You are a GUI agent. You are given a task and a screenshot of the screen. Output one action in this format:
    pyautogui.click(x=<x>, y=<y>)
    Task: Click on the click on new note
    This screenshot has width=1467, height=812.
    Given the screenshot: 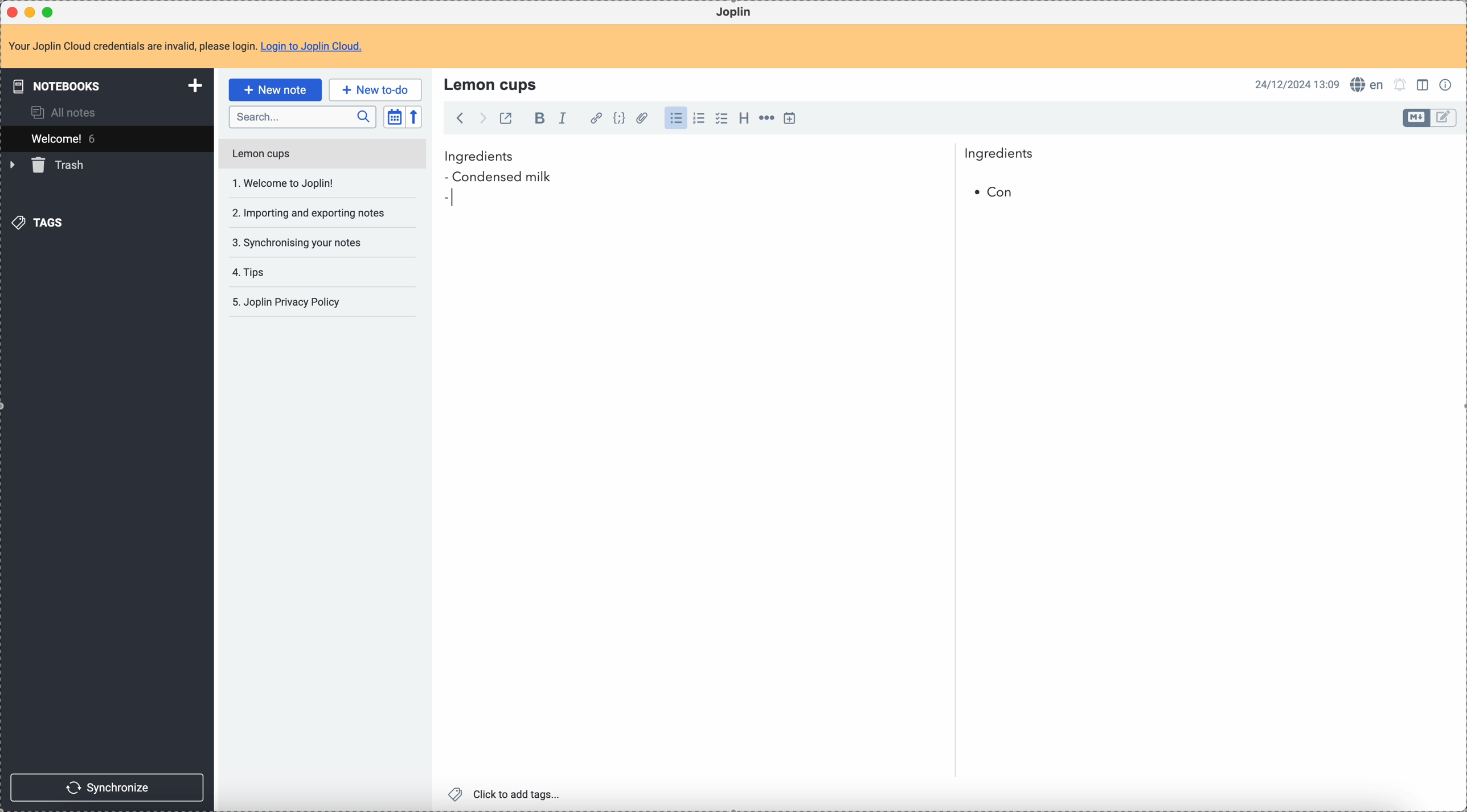 What is the action you would take?
    pyautogui.click(x=274, y=89)
    